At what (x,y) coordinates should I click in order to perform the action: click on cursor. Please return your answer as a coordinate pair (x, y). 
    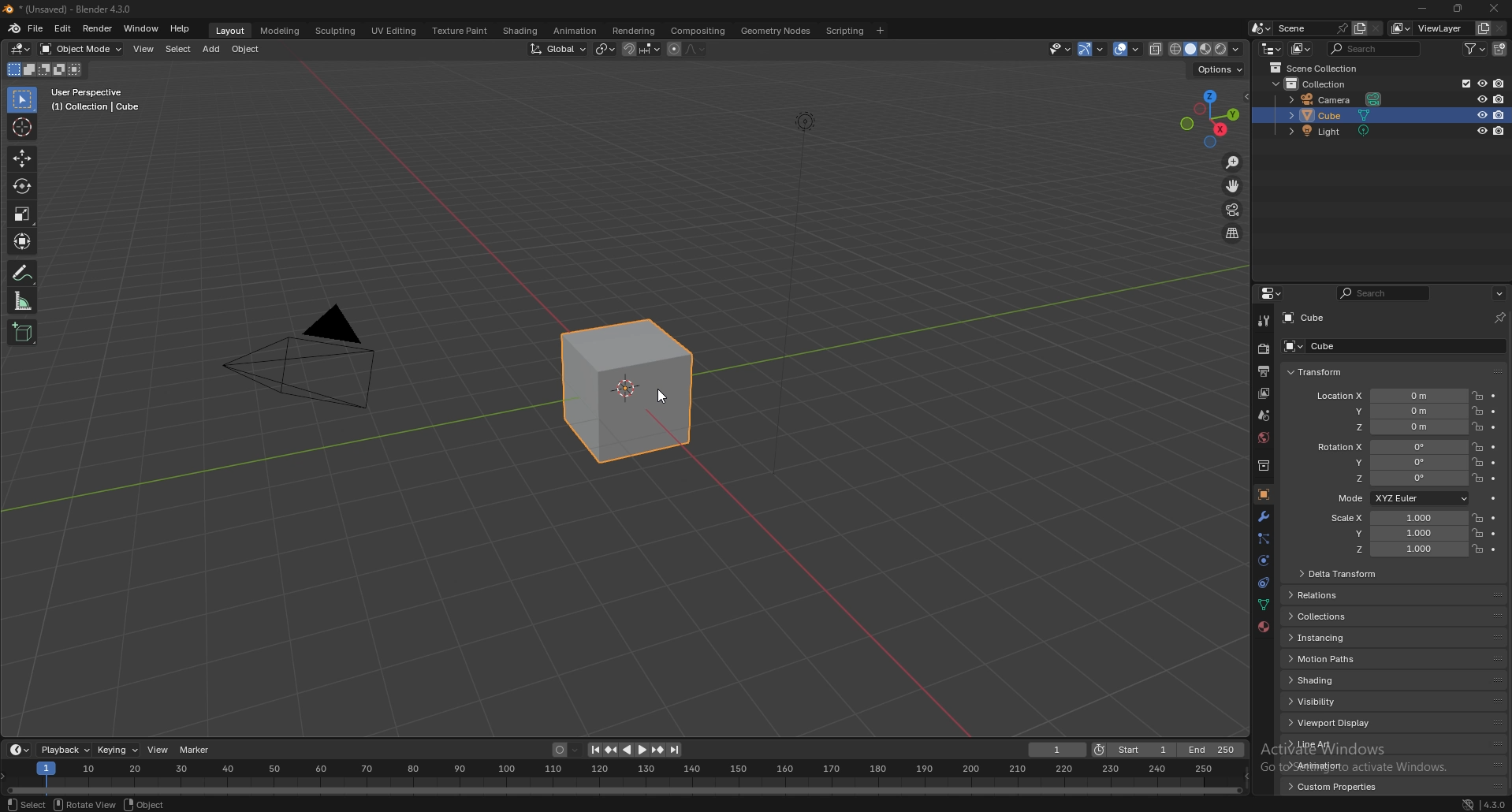
    Looking at the image, I should click on (665, 399).